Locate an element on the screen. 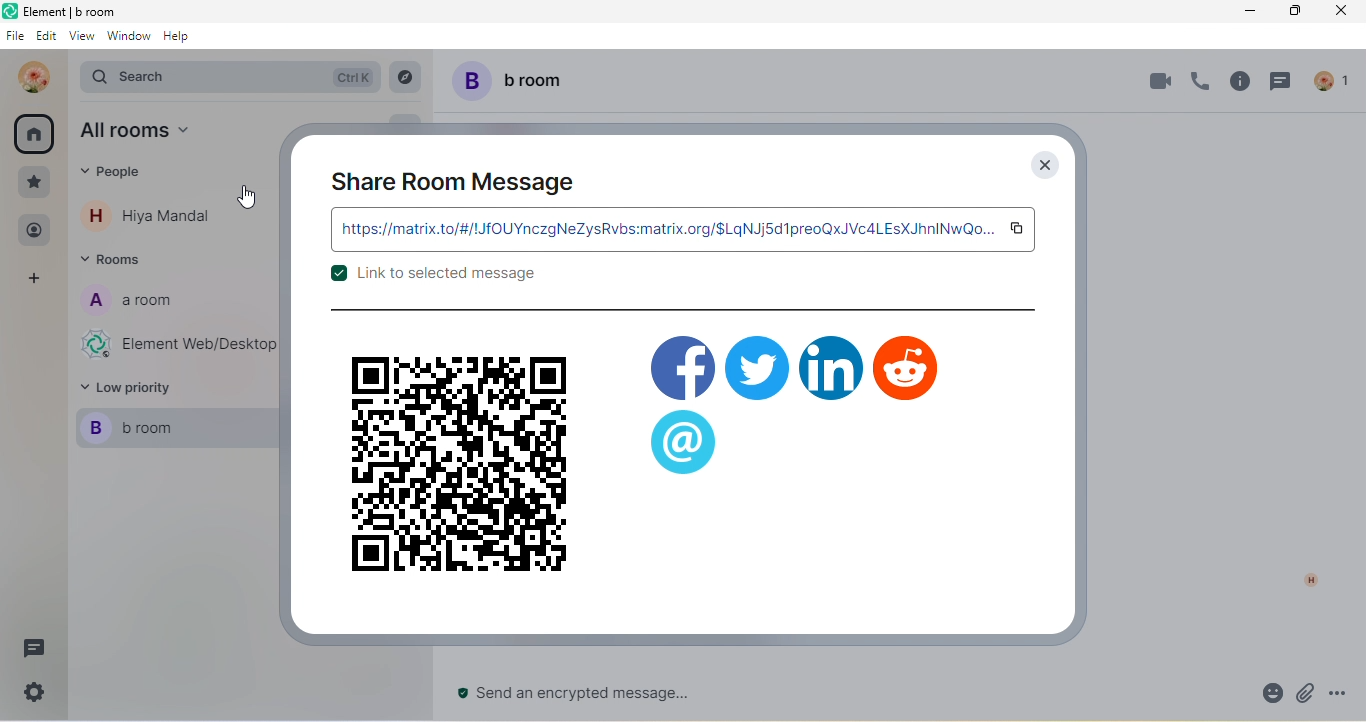 Image resolution: width=1366 pixels, height=722 pixels. video call is located at coordinates (1156, 81).